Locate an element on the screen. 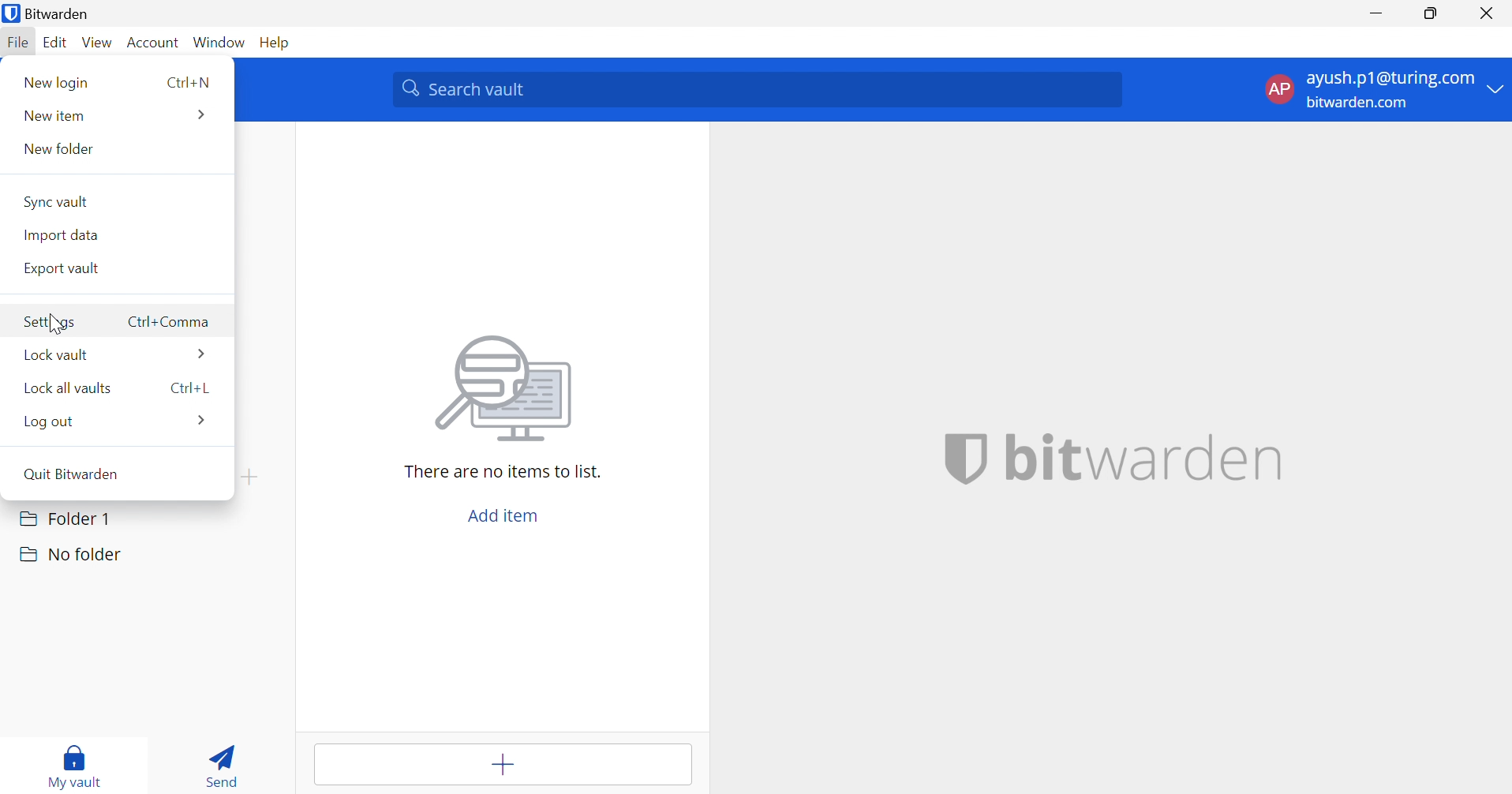 The image size is (1512, 794). My vault is located at coordinates (75, 763).